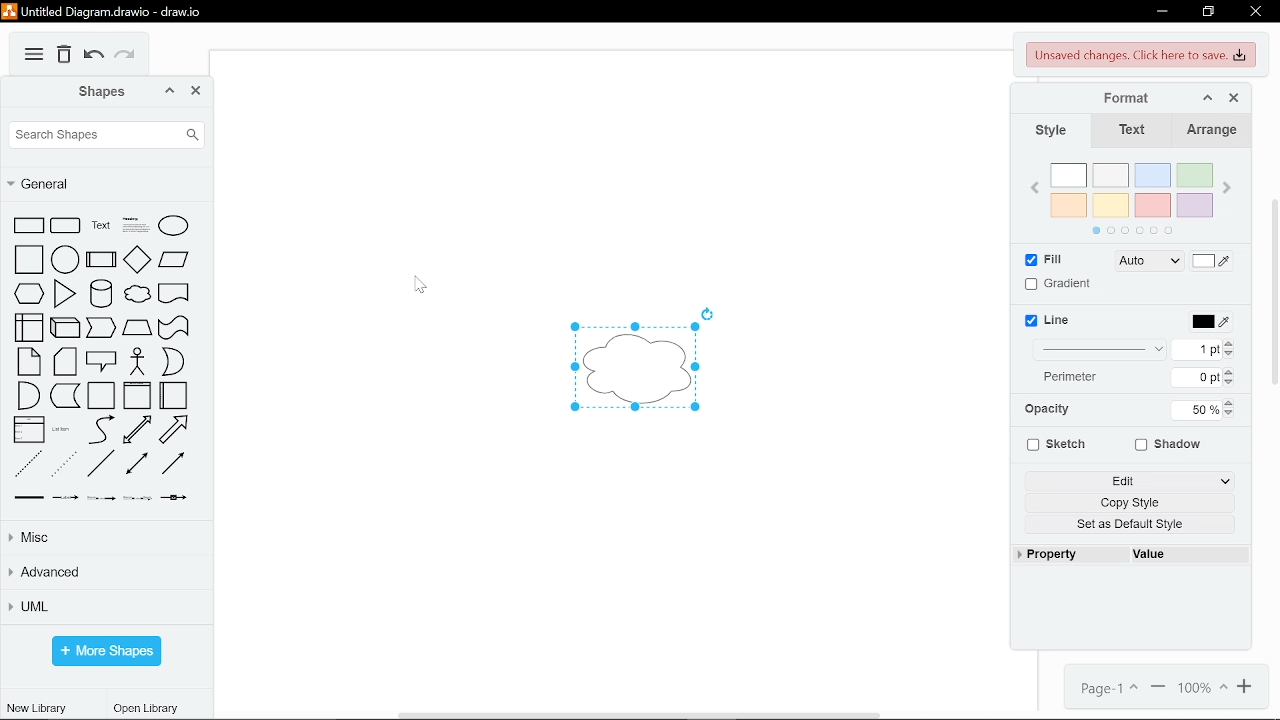 Image resolution: width=1280 pixels, height=720 pixels. I want to click on undo, so click(93, 57).